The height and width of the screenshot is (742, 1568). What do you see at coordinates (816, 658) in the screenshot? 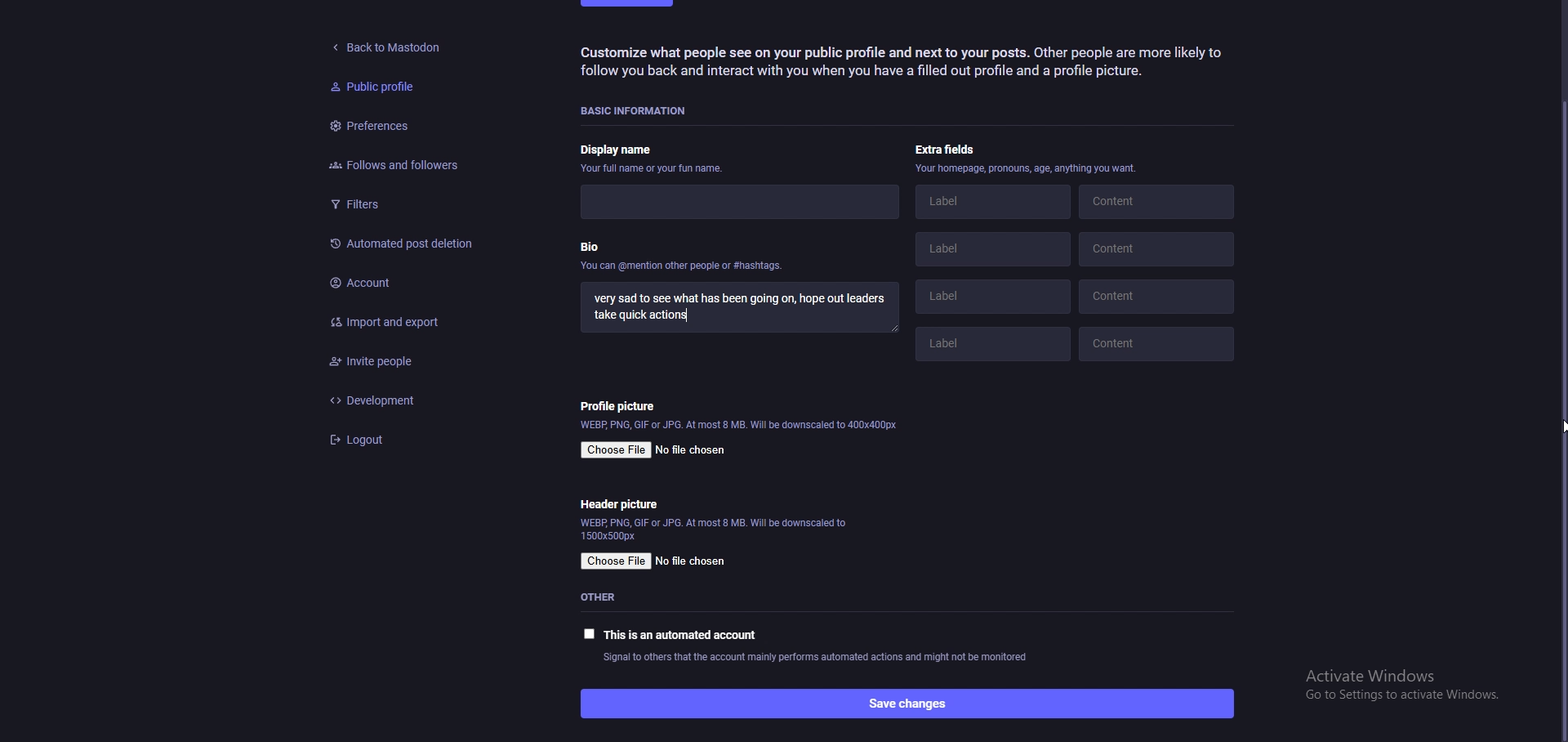
I see `info` at bounding box center [816, 658].